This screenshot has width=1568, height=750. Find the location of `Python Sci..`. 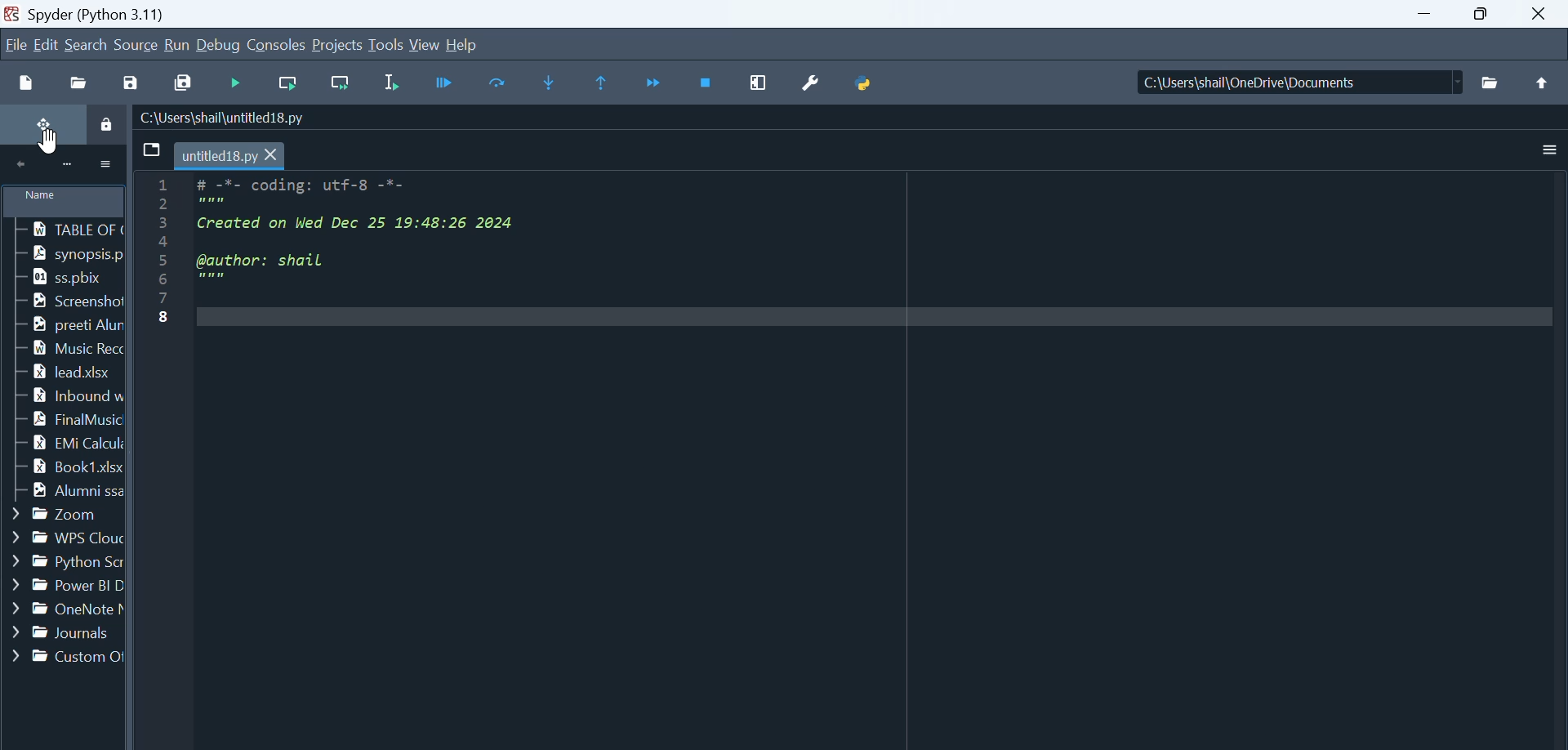

Python Sci.. is located at coordinates (60, 563).